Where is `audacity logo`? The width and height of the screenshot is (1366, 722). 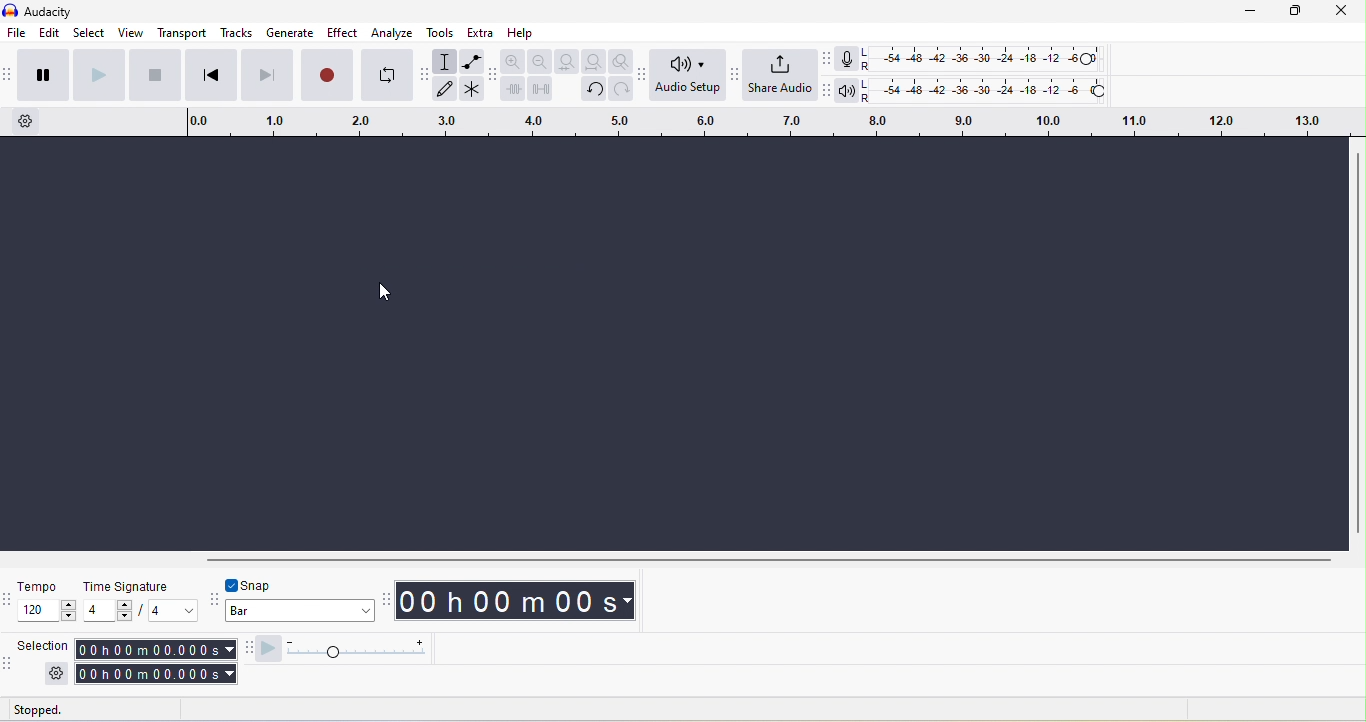 audacity logo is located at coordinates (10, 10).